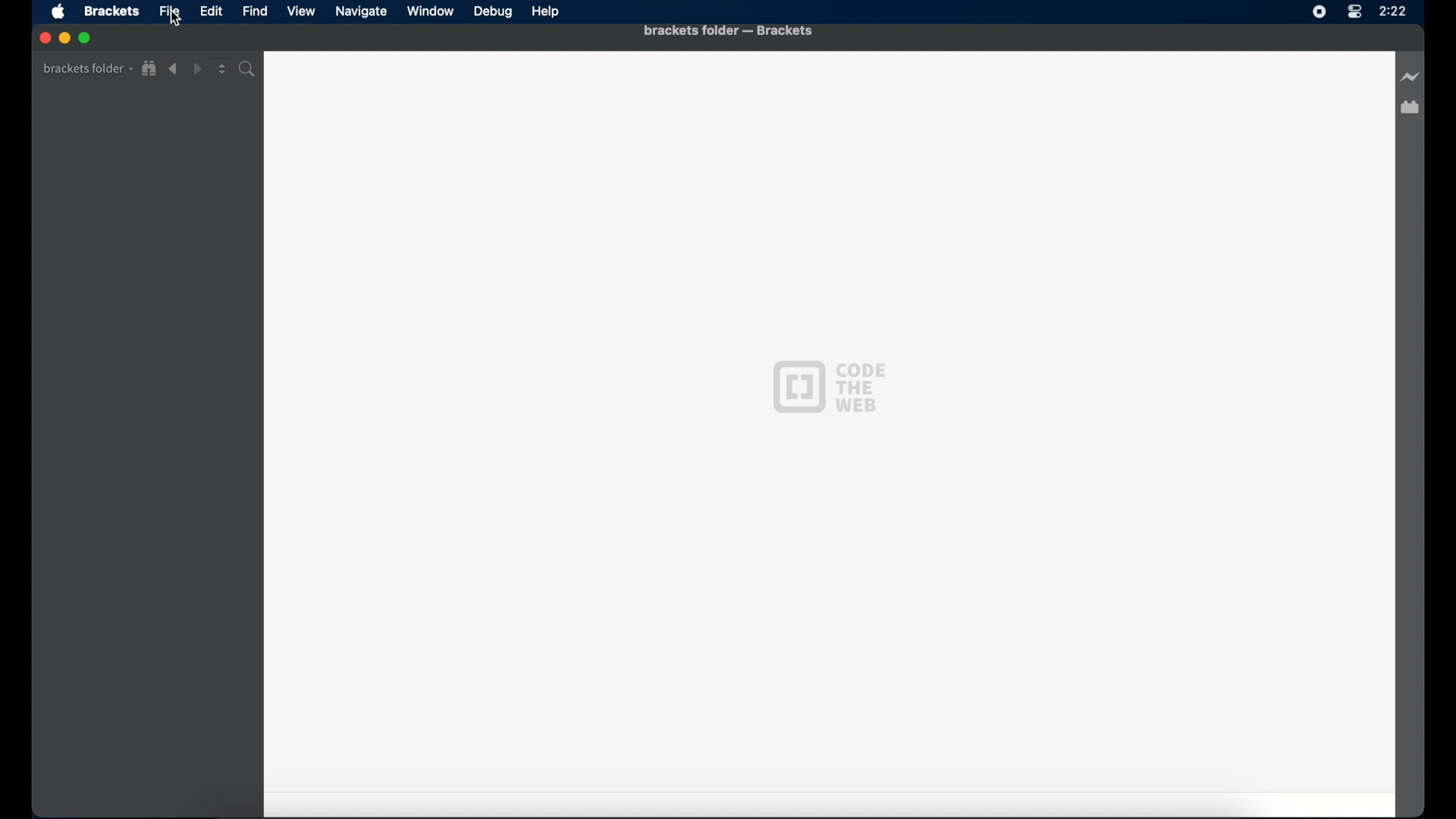 The width and height of the screenshot is (1456, 819). What do you see at coordinates (178, 27) in the screenshot?
I see `Cursor` at bounding box center [178, 27].